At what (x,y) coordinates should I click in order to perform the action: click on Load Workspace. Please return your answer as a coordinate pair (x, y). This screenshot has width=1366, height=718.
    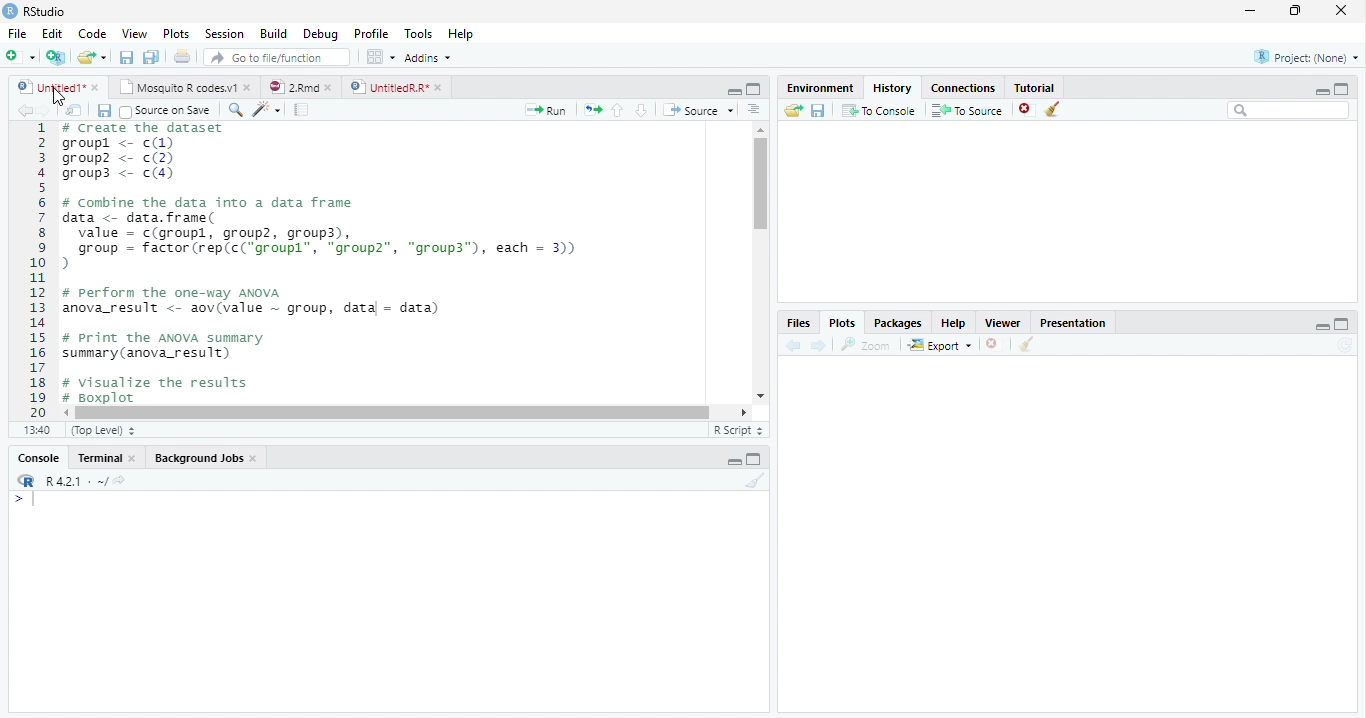
    Looking at the image, I should click on (794, 111).